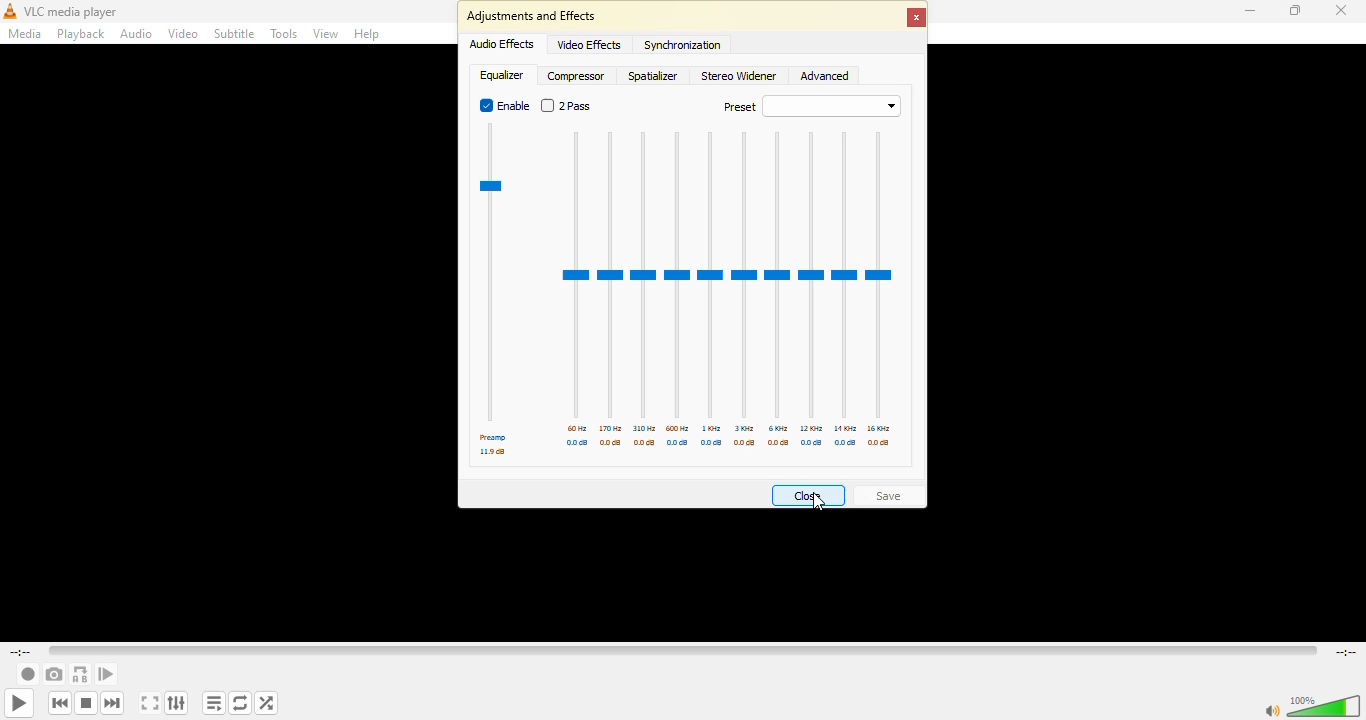 This screenshot has height=720, width=1366. Describe the element at coordinates (883, 276) in the screenshot. I see `adjustor` at that location.